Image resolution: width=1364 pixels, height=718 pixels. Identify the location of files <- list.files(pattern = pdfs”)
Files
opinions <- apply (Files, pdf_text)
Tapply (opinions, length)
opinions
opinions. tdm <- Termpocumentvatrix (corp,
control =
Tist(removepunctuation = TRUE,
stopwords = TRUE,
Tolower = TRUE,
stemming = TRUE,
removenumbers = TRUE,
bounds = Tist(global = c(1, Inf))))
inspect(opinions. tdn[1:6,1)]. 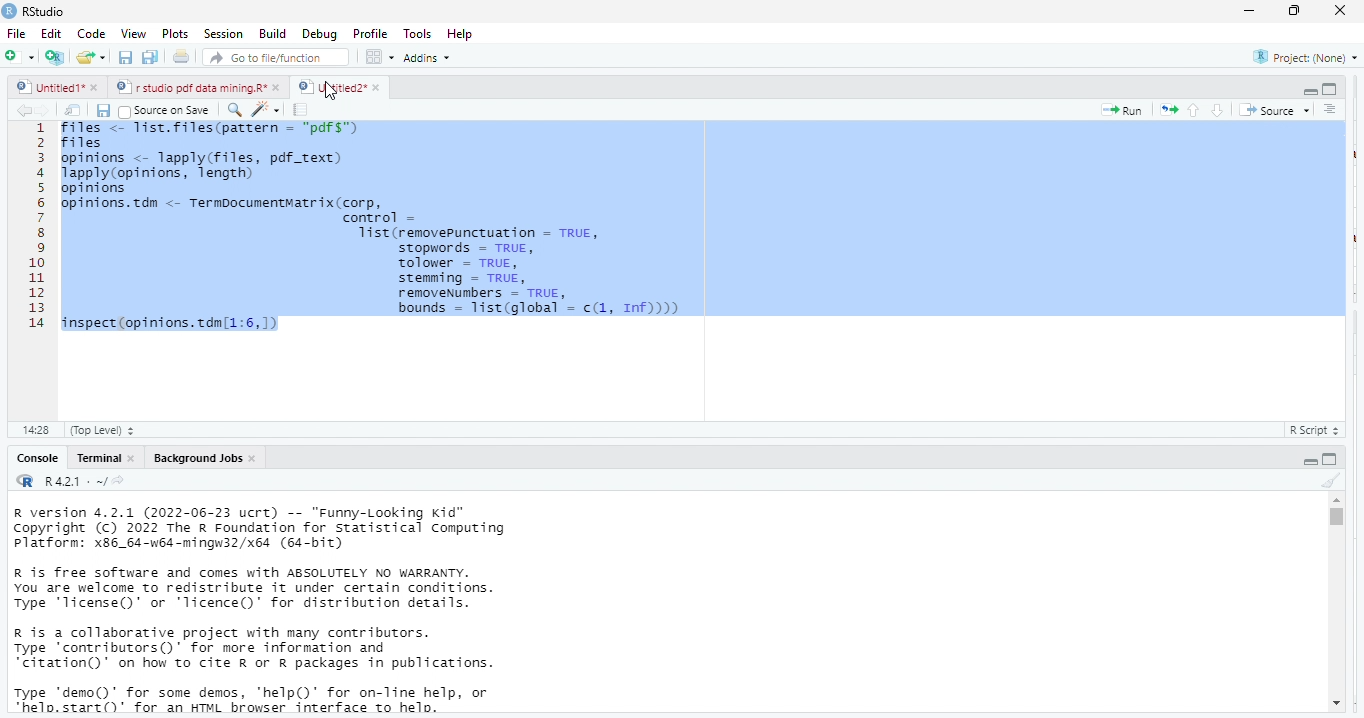
(701, 227).